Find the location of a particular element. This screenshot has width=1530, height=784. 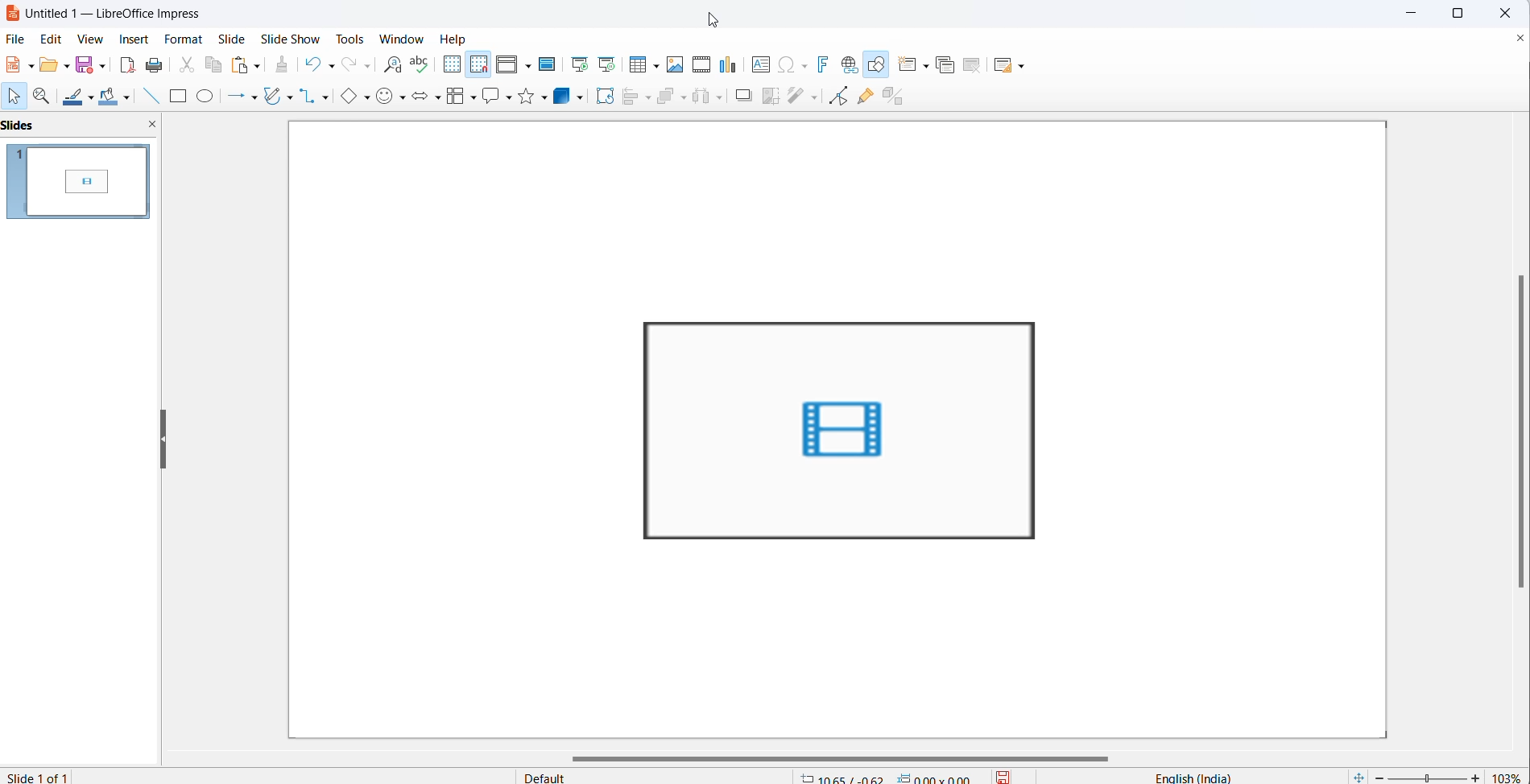

paste is located at coordinates (242, 65).